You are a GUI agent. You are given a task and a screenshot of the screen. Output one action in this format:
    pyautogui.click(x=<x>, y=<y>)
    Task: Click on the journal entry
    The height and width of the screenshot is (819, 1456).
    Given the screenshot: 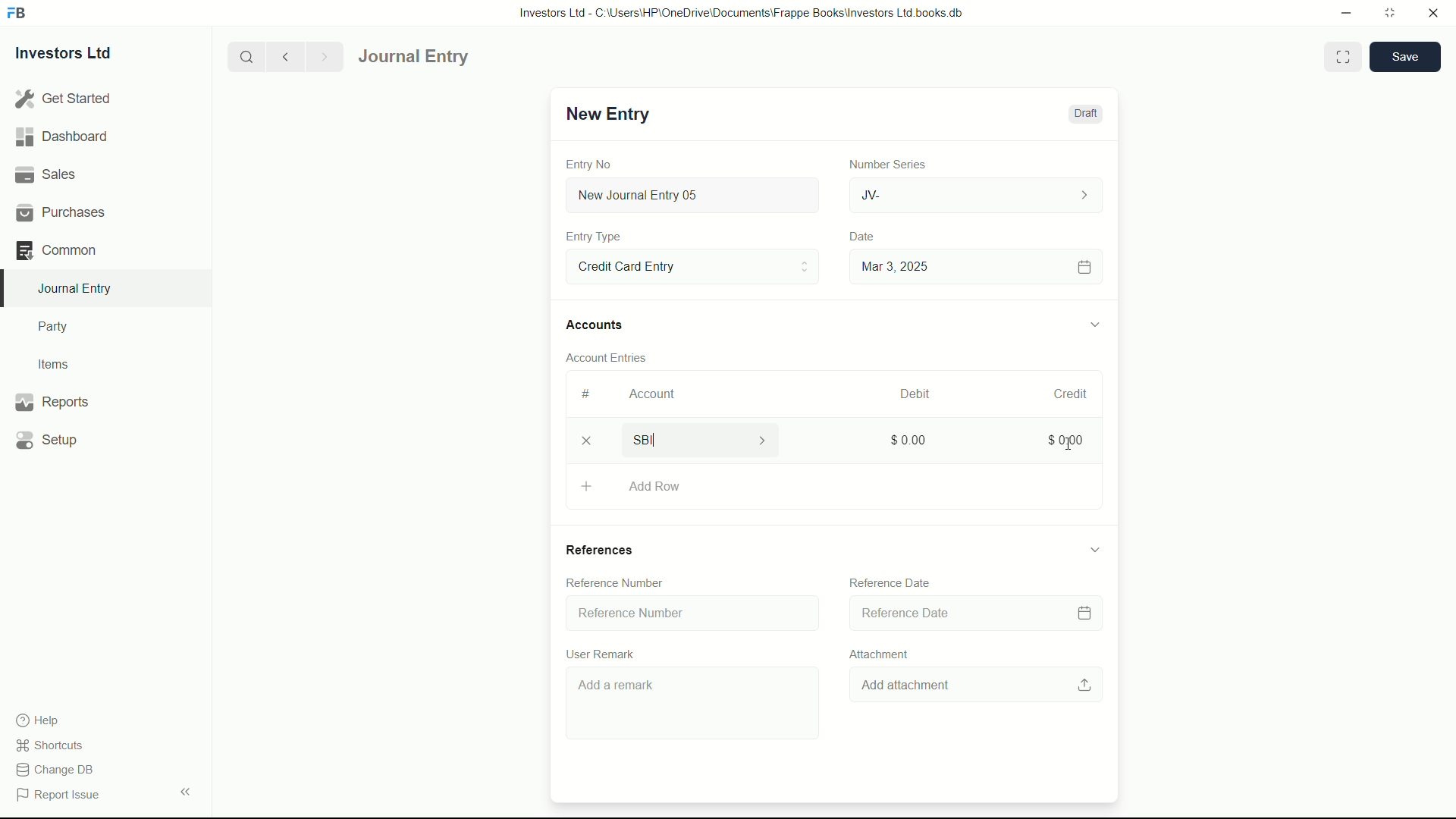 What is the action you would take?
    pyautogui.click(x=457, y=57)
    